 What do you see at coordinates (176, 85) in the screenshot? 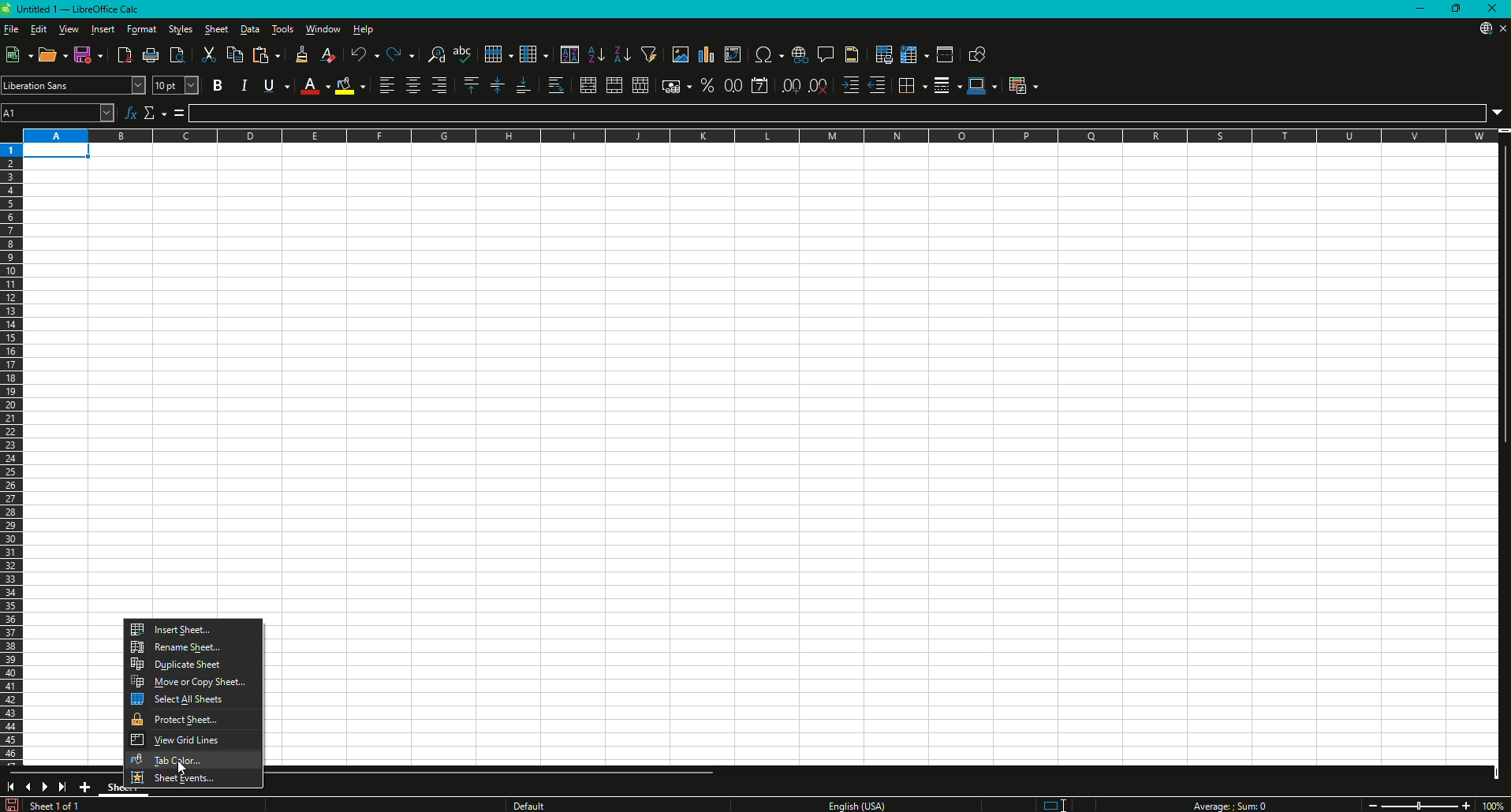
I see `Font Size` at bounding box center [176, 85].